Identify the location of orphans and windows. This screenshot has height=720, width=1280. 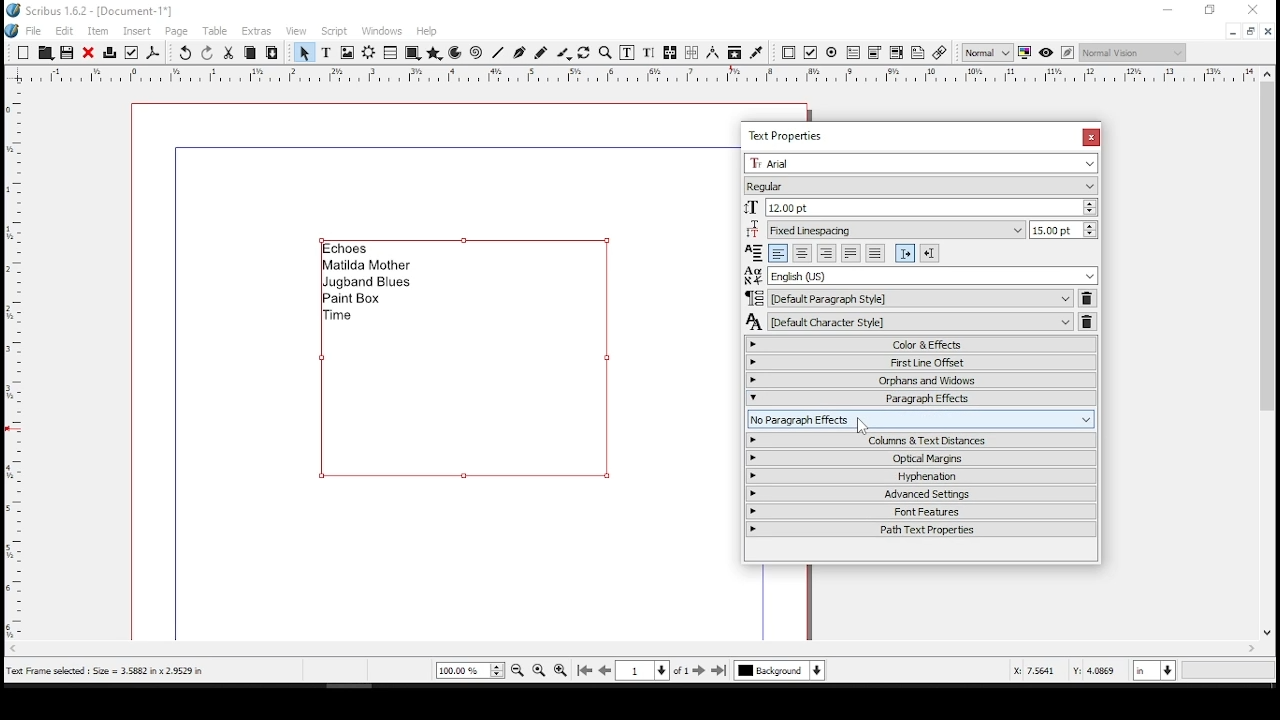
(922, 380).